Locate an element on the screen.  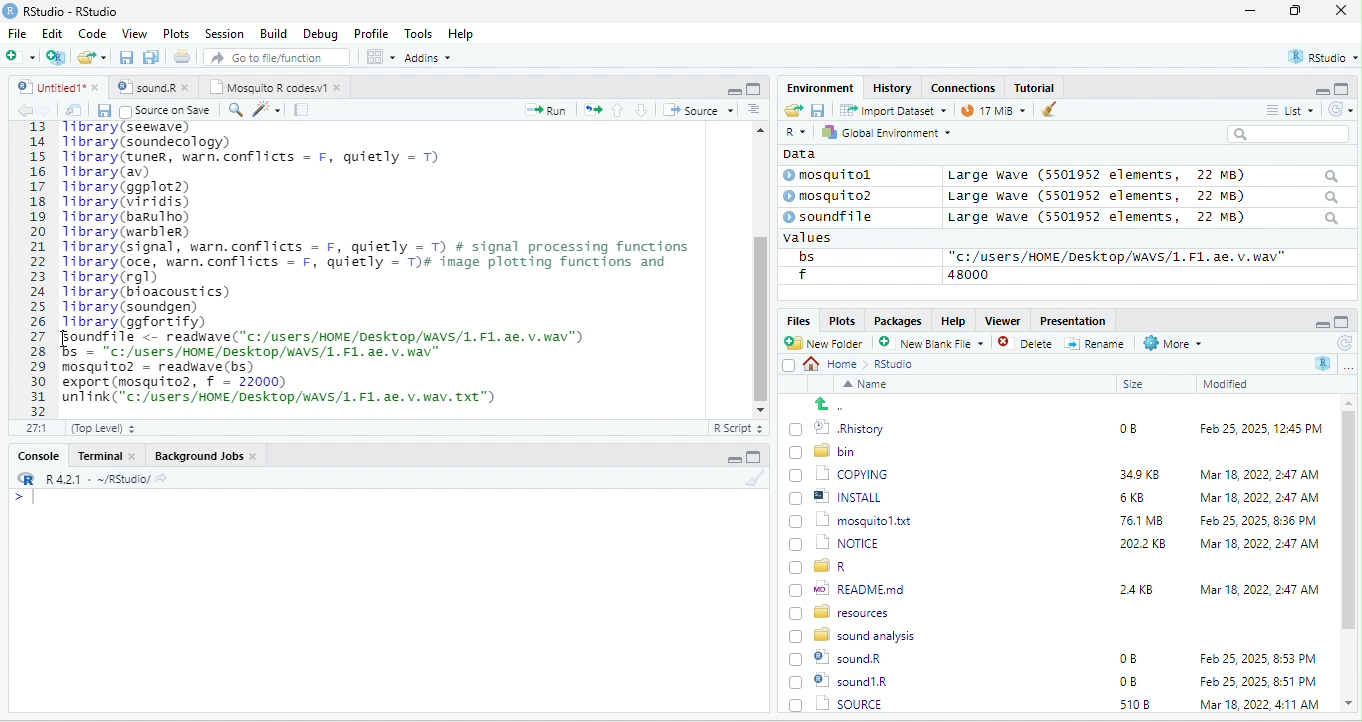
Files is located at coordinates (795, 320).